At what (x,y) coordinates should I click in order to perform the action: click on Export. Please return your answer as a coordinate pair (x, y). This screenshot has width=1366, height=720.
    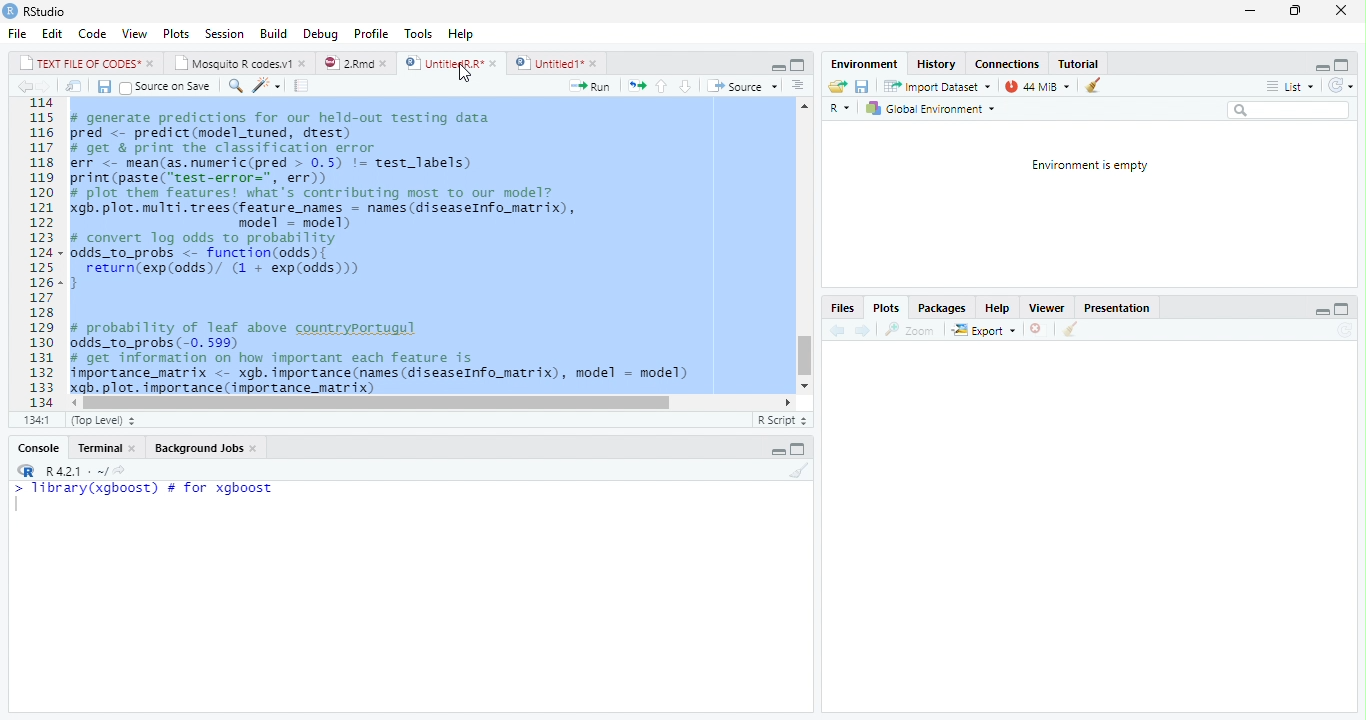
    Looking at the image, I should click on (984, 330).